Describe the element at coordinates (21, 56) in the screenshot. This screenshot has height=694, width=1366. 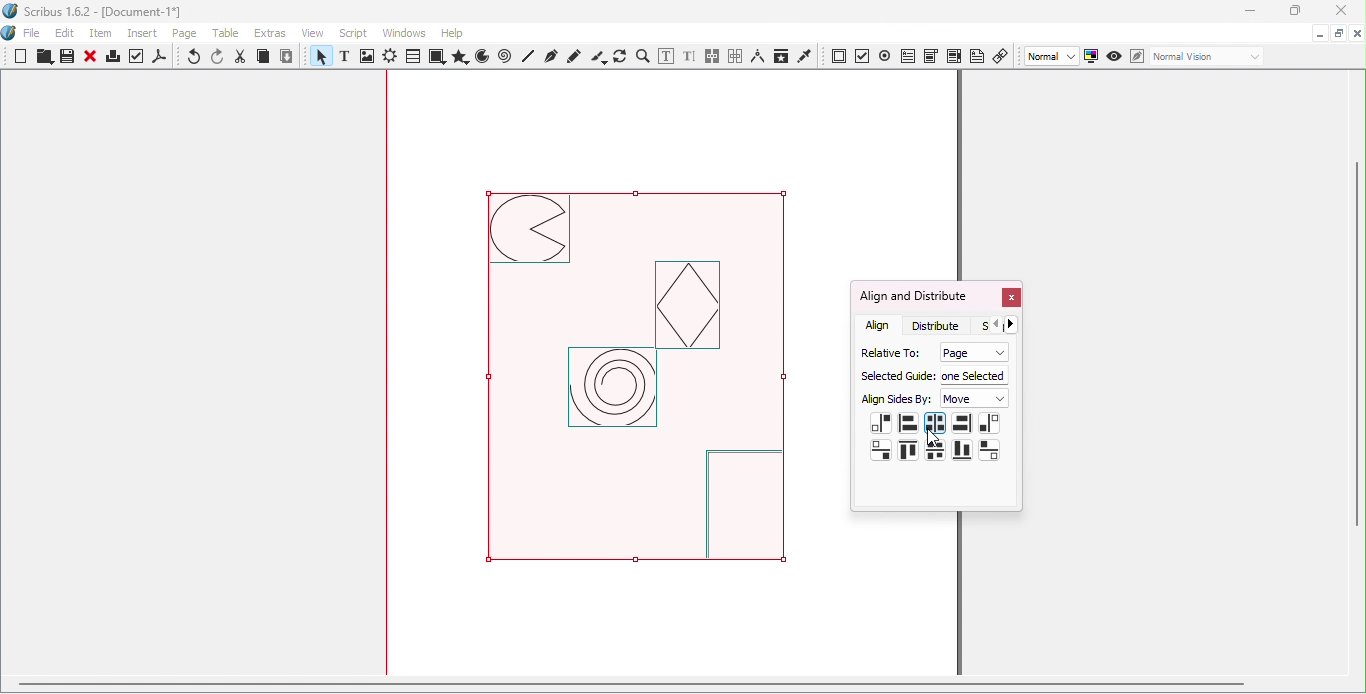
I see `New` at that location.